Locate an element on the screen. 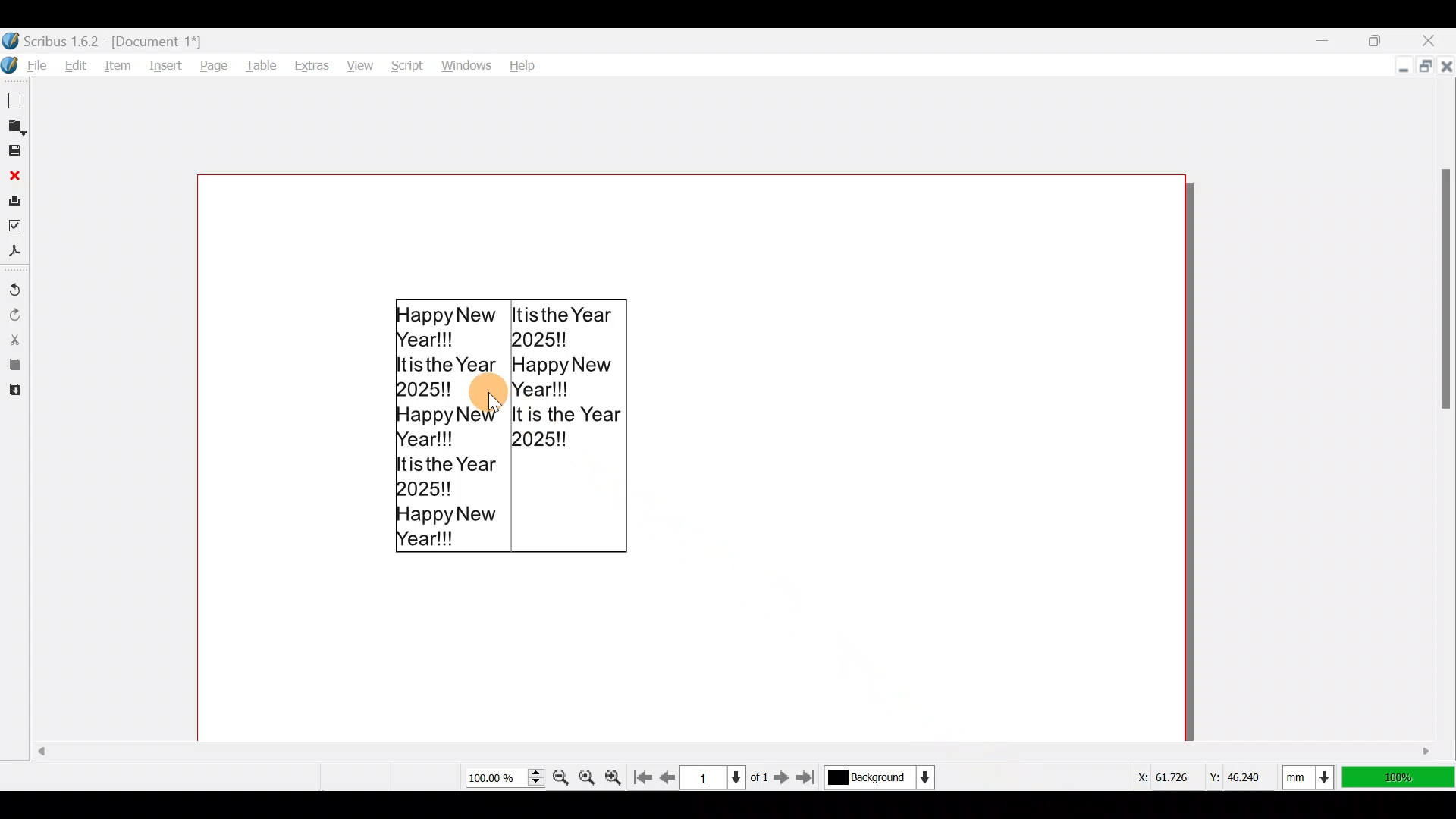 The height and width of the screenshot is (819, 1456). Go to previous page is located at coordinates (668, 774).